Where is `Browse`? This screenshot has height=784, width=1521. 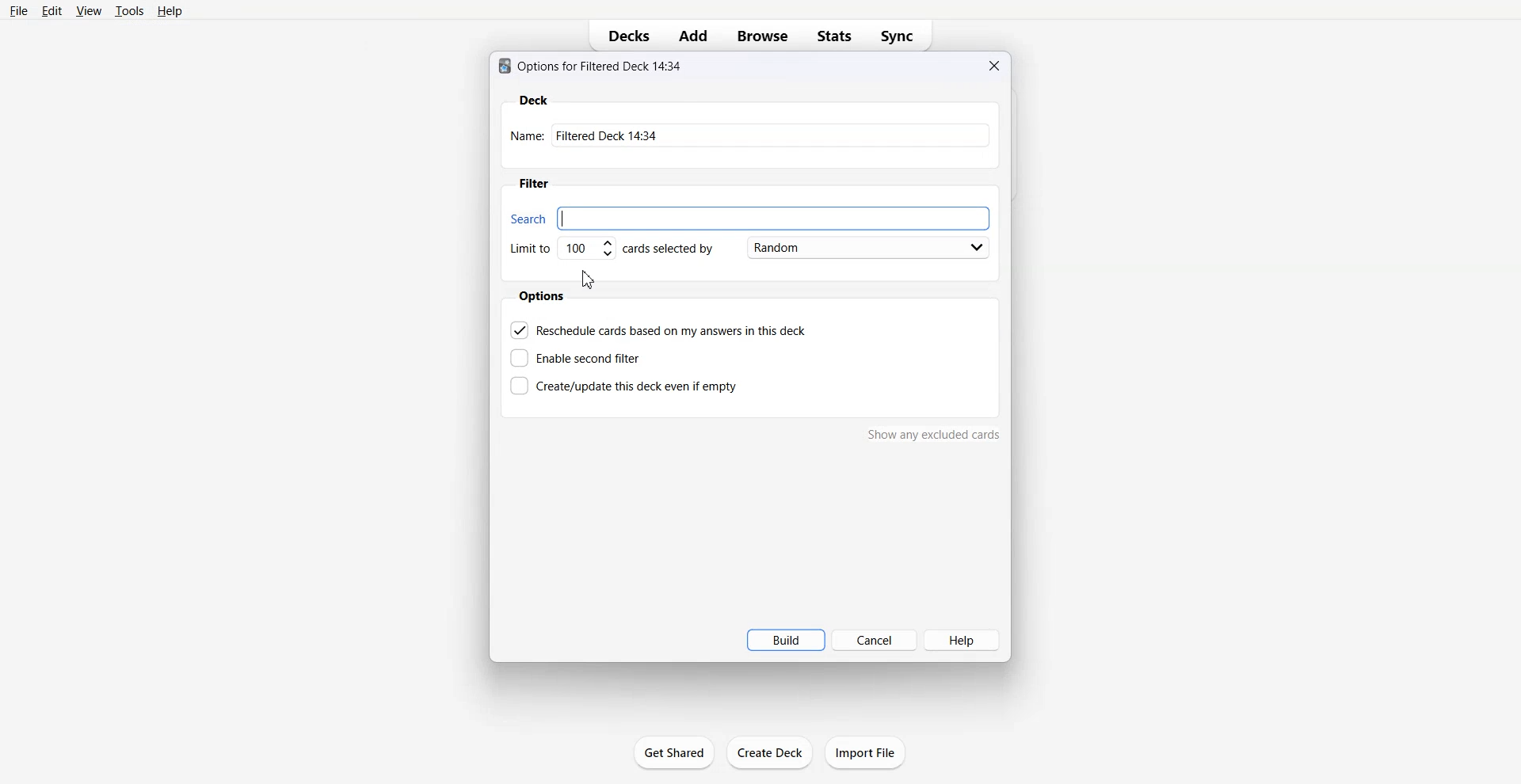 Browse is located at coordinates (762, 36).